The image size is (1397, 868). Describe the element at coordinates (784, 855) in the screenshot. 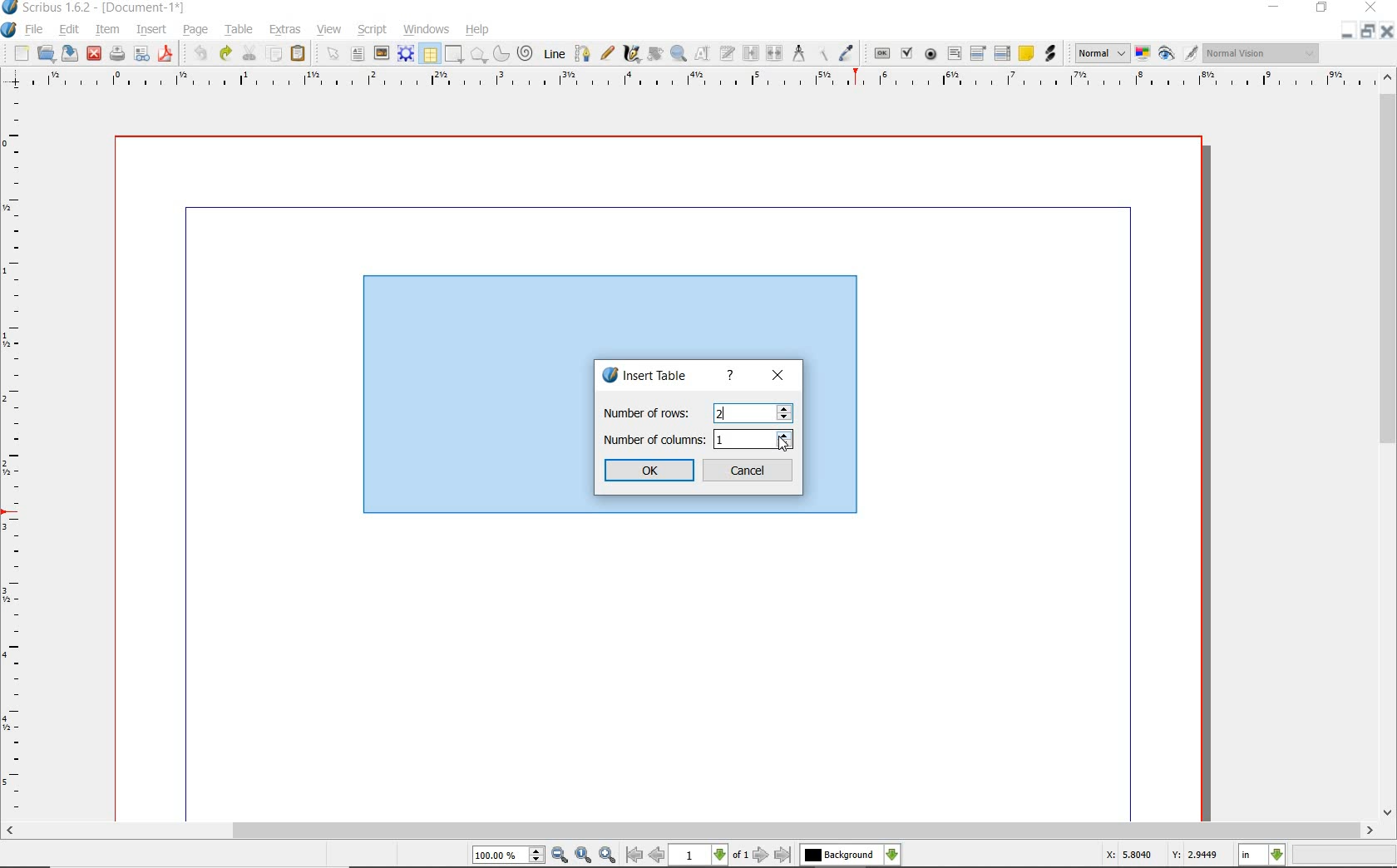

I see `go to last page` at that location.